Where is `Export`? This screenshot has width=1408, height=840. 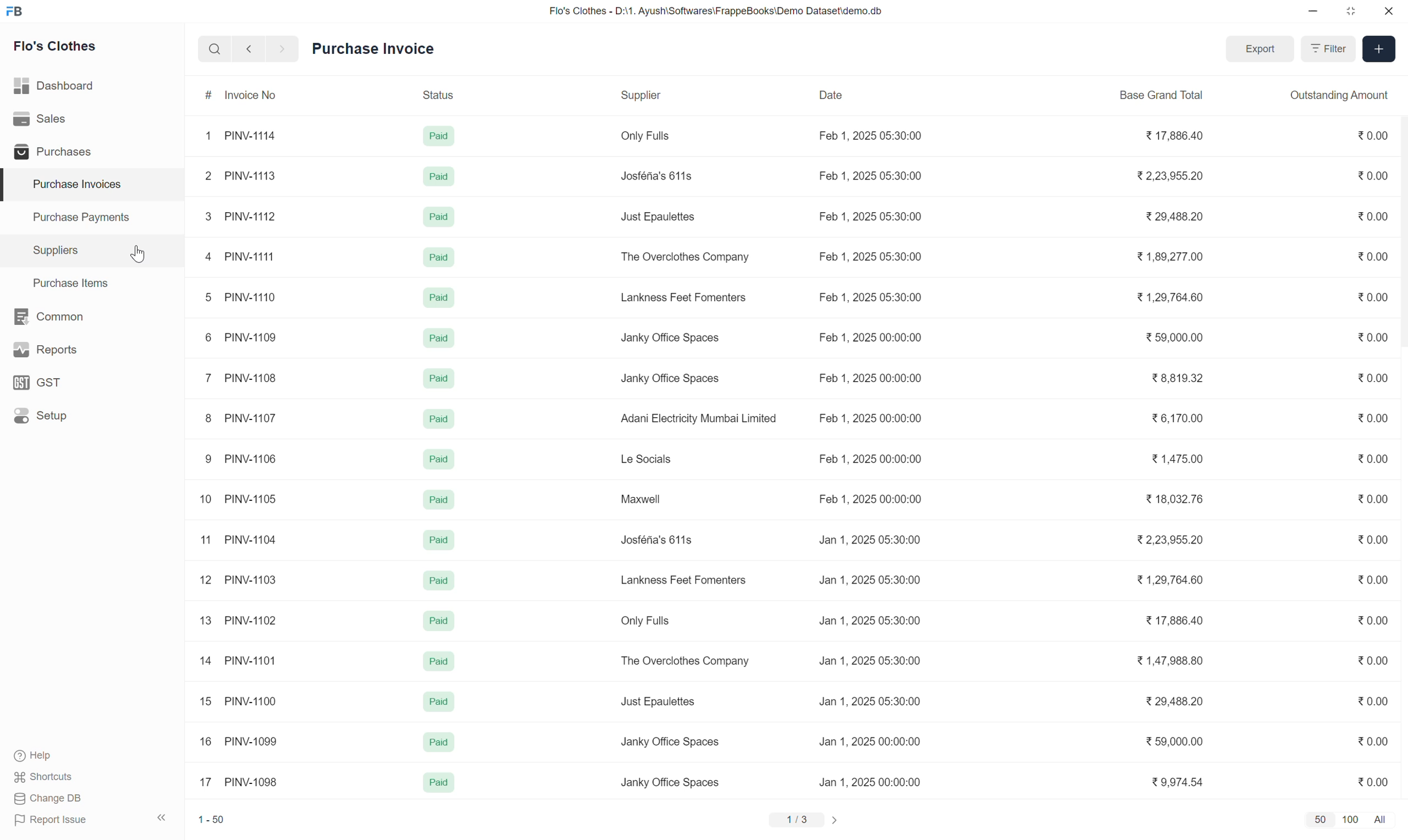 Export is located at coordinates (1260, 49).